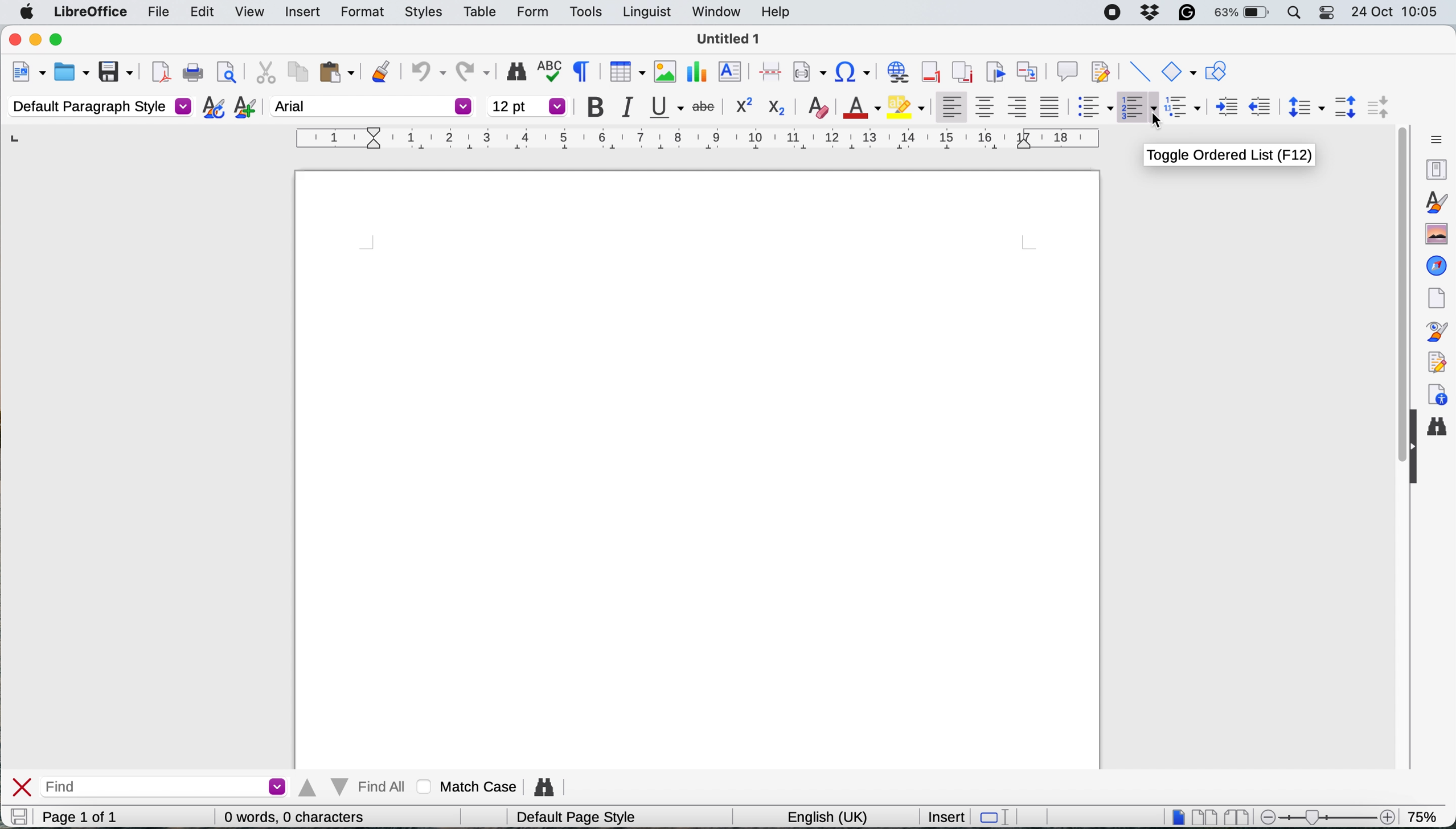  Describe the element at coordinates (600, 108) in the screenshot. I see `bold` at that location.